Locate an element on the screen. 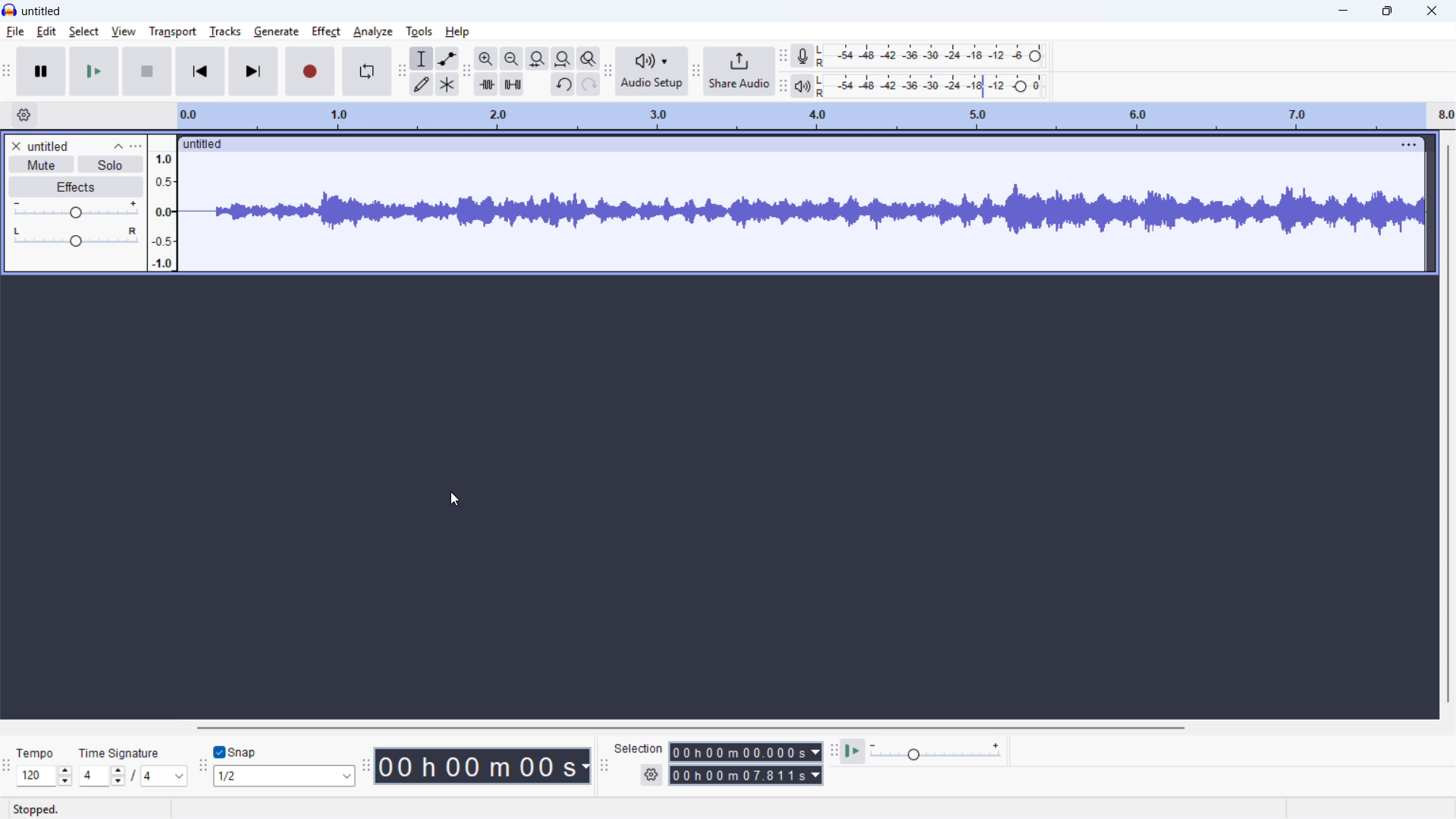 This screenshot has height=819, width=1456. track waveform is located at coordinates (801, 211).